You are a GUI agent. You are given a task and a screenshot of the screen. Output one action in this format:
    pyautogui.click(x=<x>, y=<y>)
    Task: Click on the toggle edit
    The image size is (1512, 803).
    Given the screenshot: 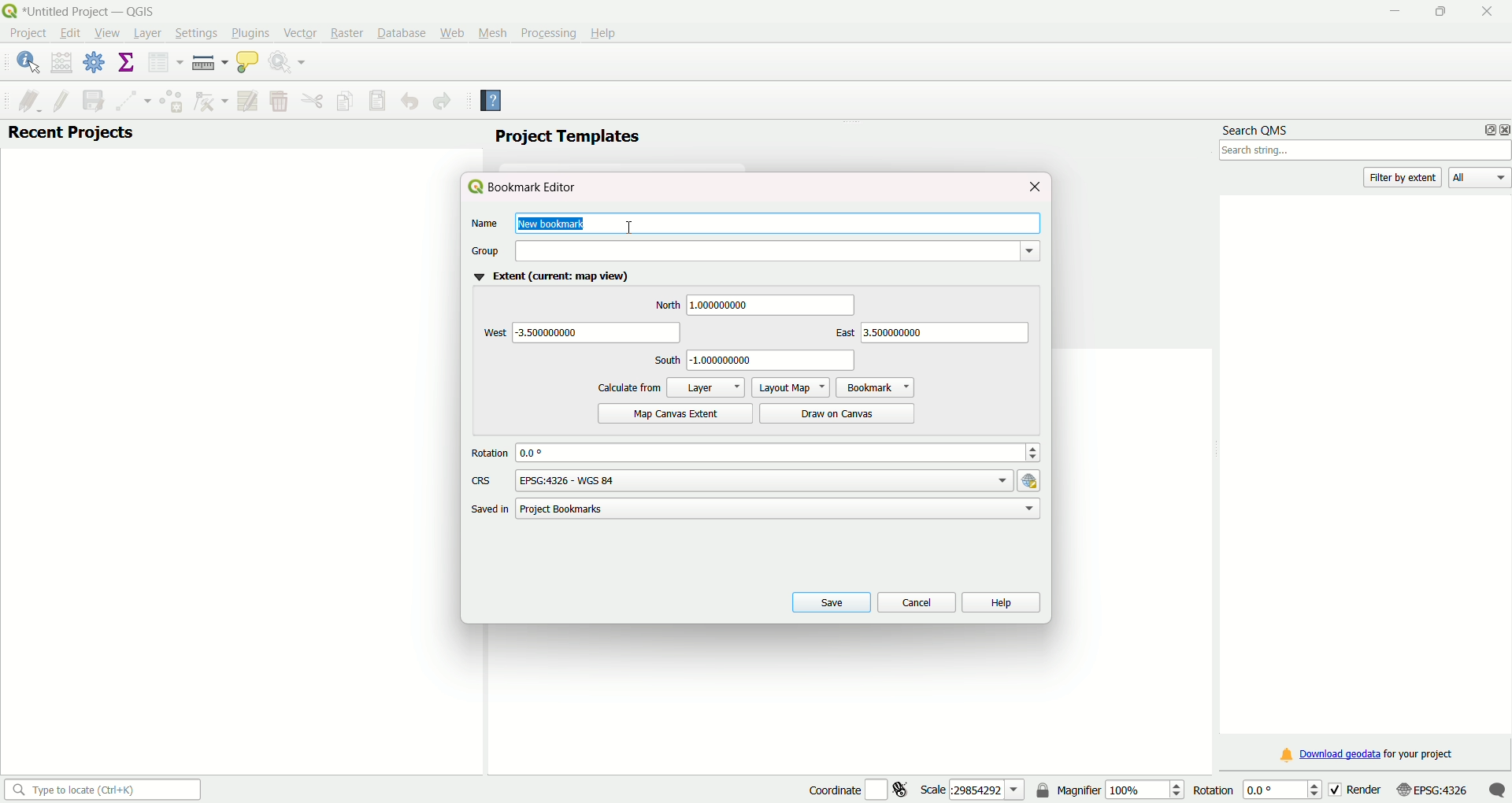 What is the action you would take?
    pyautogui.click(x=61, y=99)
    